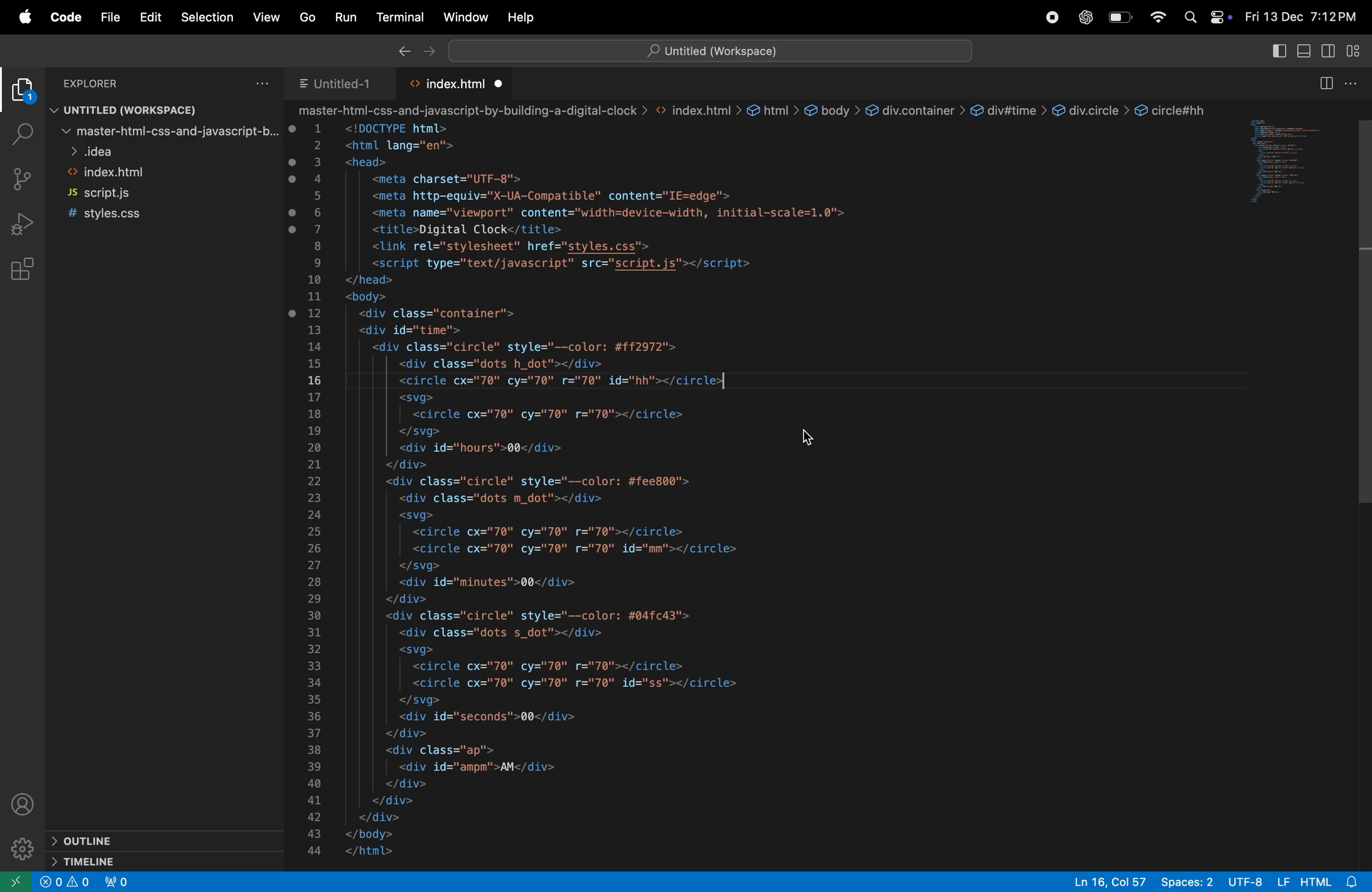 This screenshot has height=892, width=1372. I want to click on cursor, so click(806, 436).